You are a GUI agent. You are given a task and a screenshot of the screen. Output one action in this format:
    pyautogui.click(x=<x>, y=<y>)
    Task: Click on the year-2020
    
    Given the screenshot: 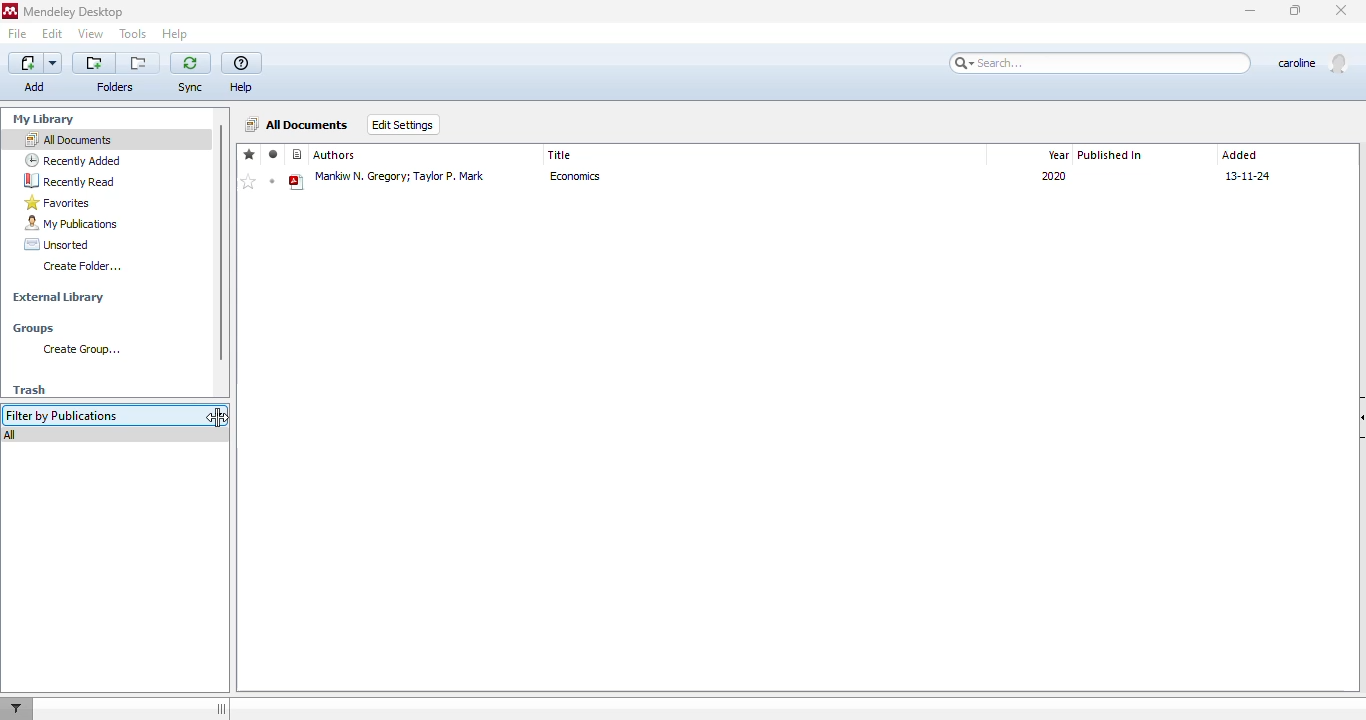 What is the action you would take?
    pyautogui.click(x=1051, y=180)
    